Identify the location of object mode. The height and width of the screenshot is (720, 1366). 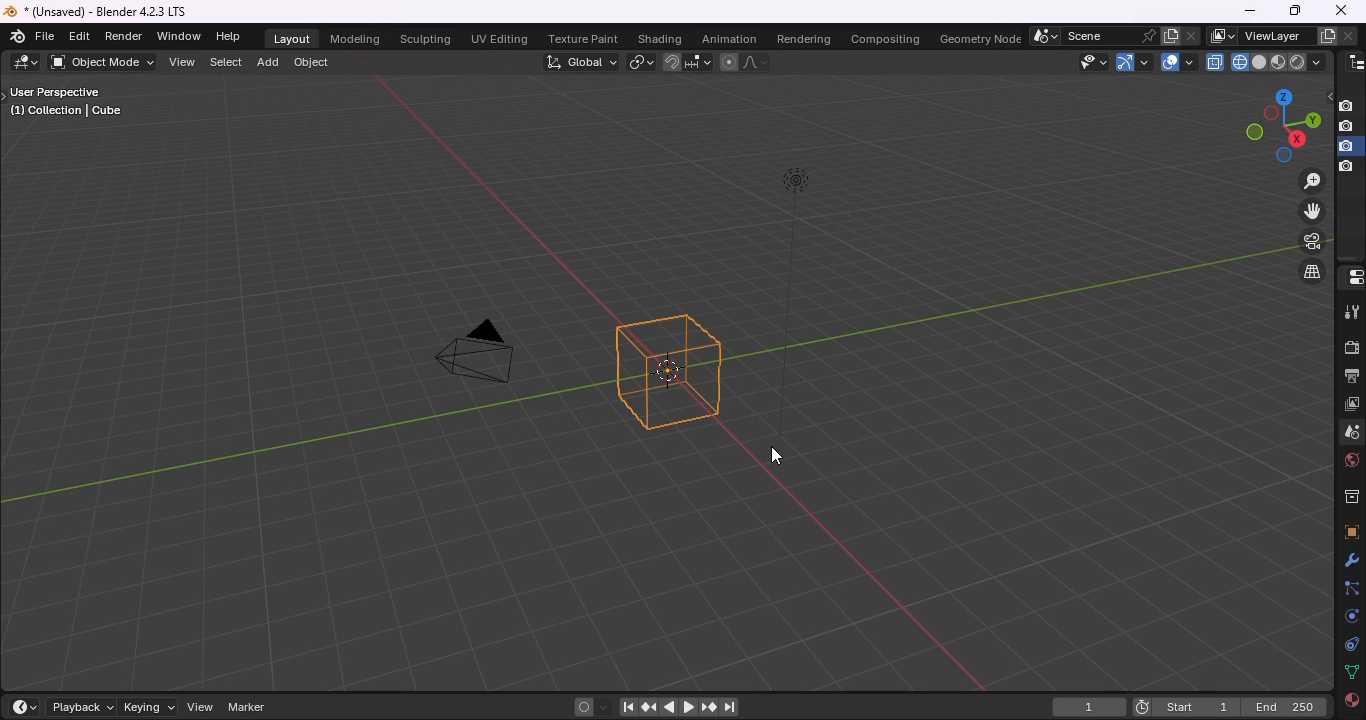
(102, 62).